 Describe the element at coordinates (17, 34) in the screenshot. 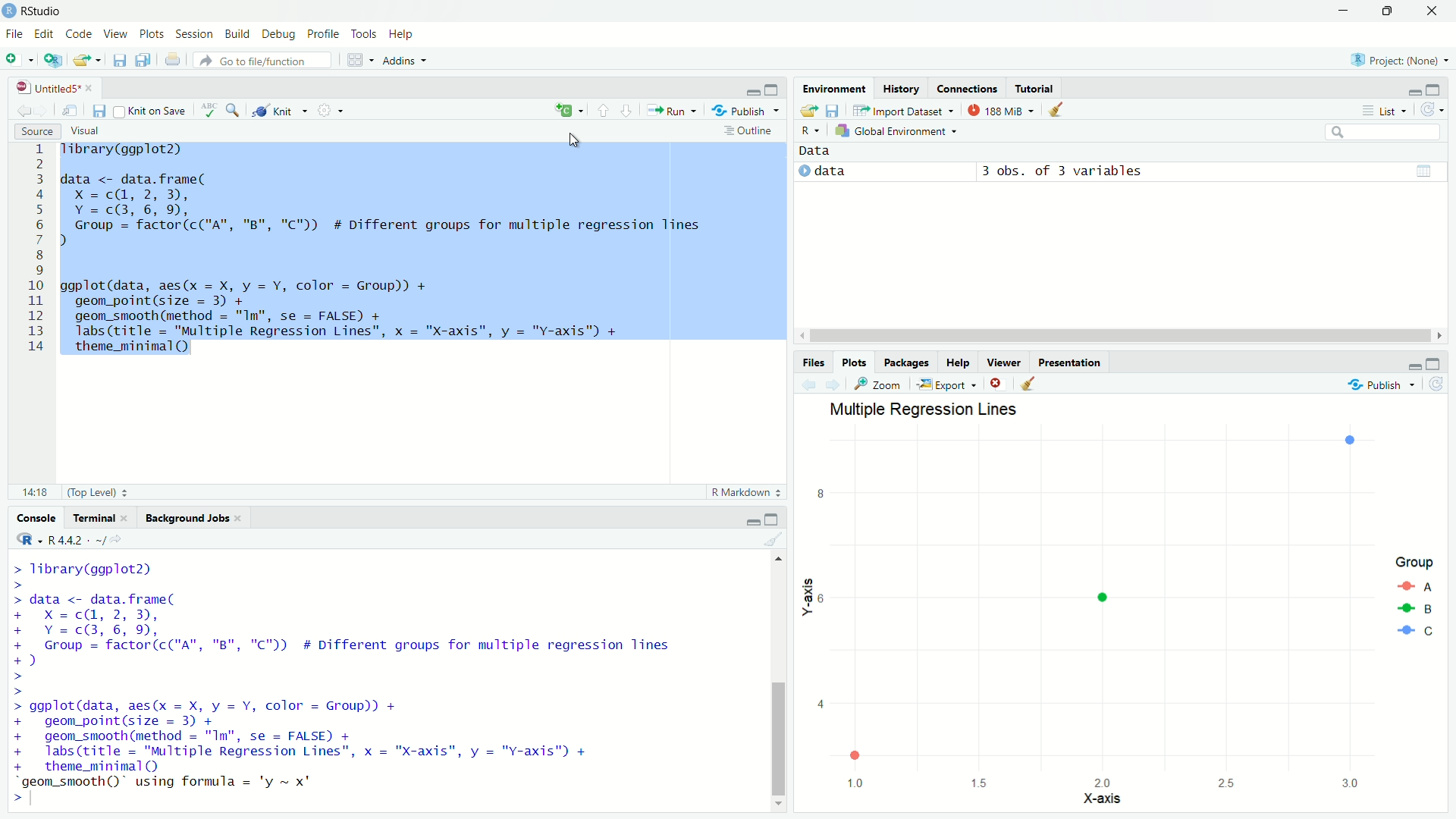

I see `File` at that location.